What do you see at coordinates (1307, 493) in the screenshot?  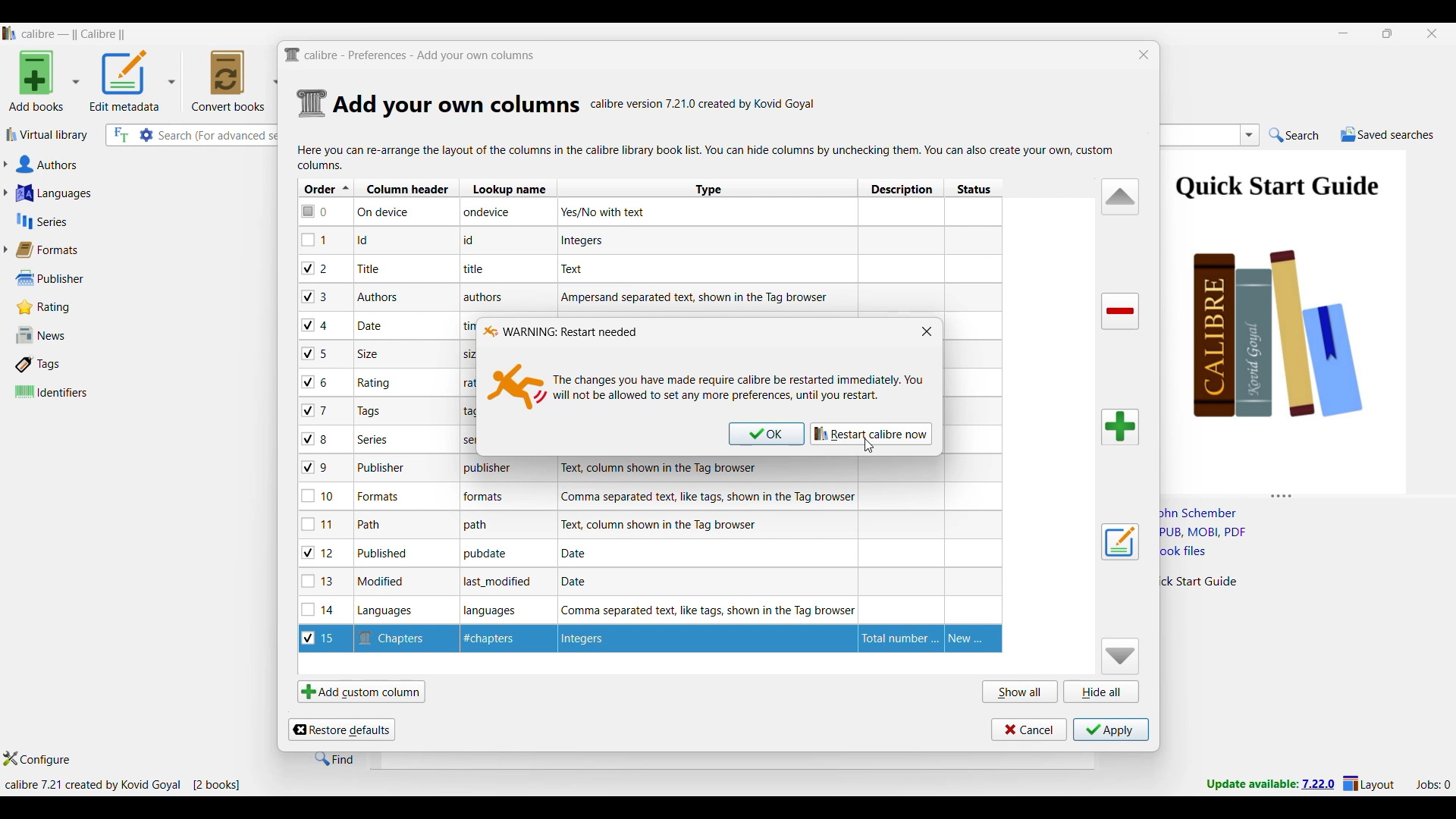 I see `Change height of columns attached to this panel` at bounding box center [1307, 493].